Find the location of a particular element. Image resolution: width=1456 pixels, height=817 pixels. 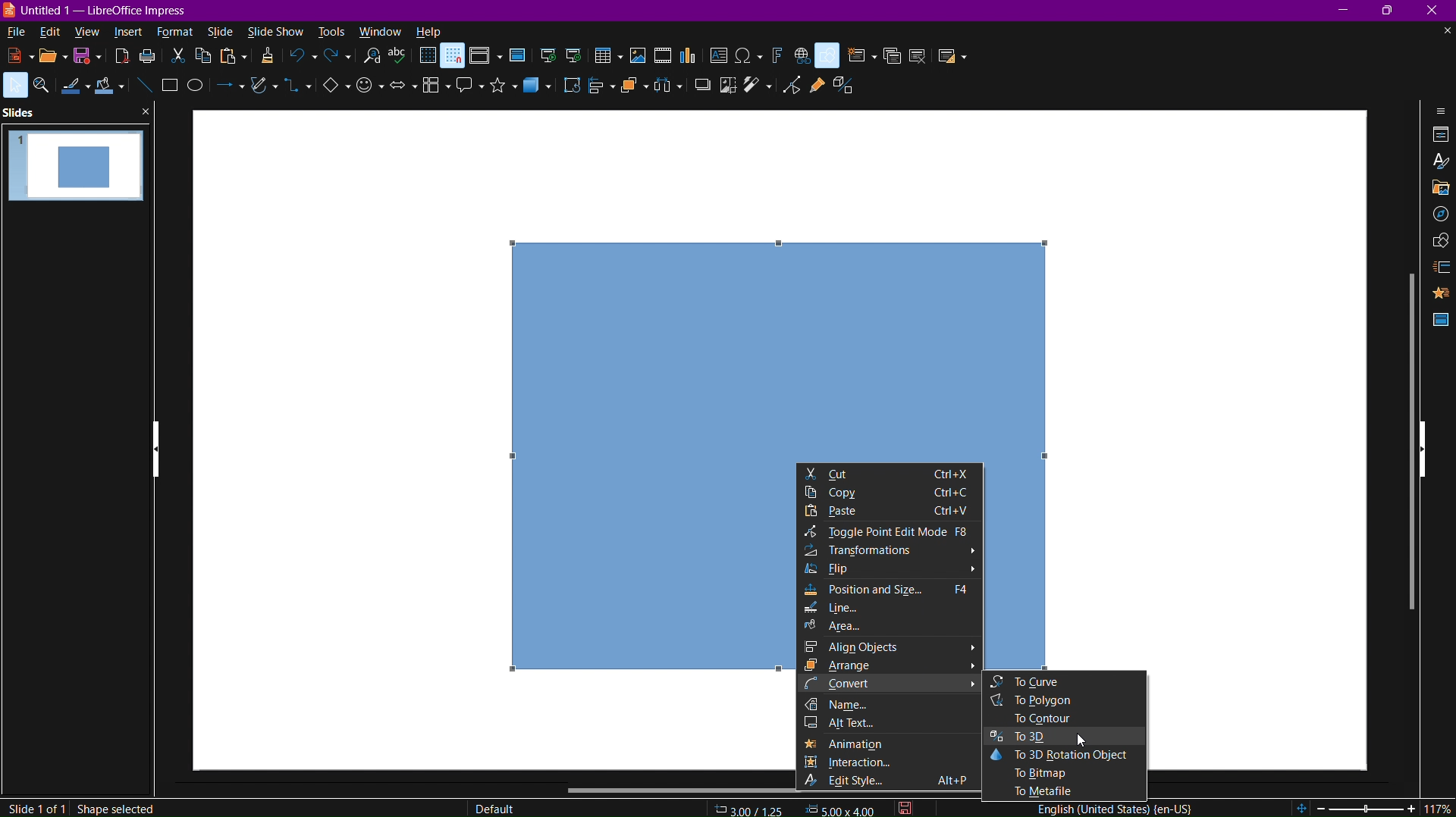

Window name is located at coordinates (97, 11).